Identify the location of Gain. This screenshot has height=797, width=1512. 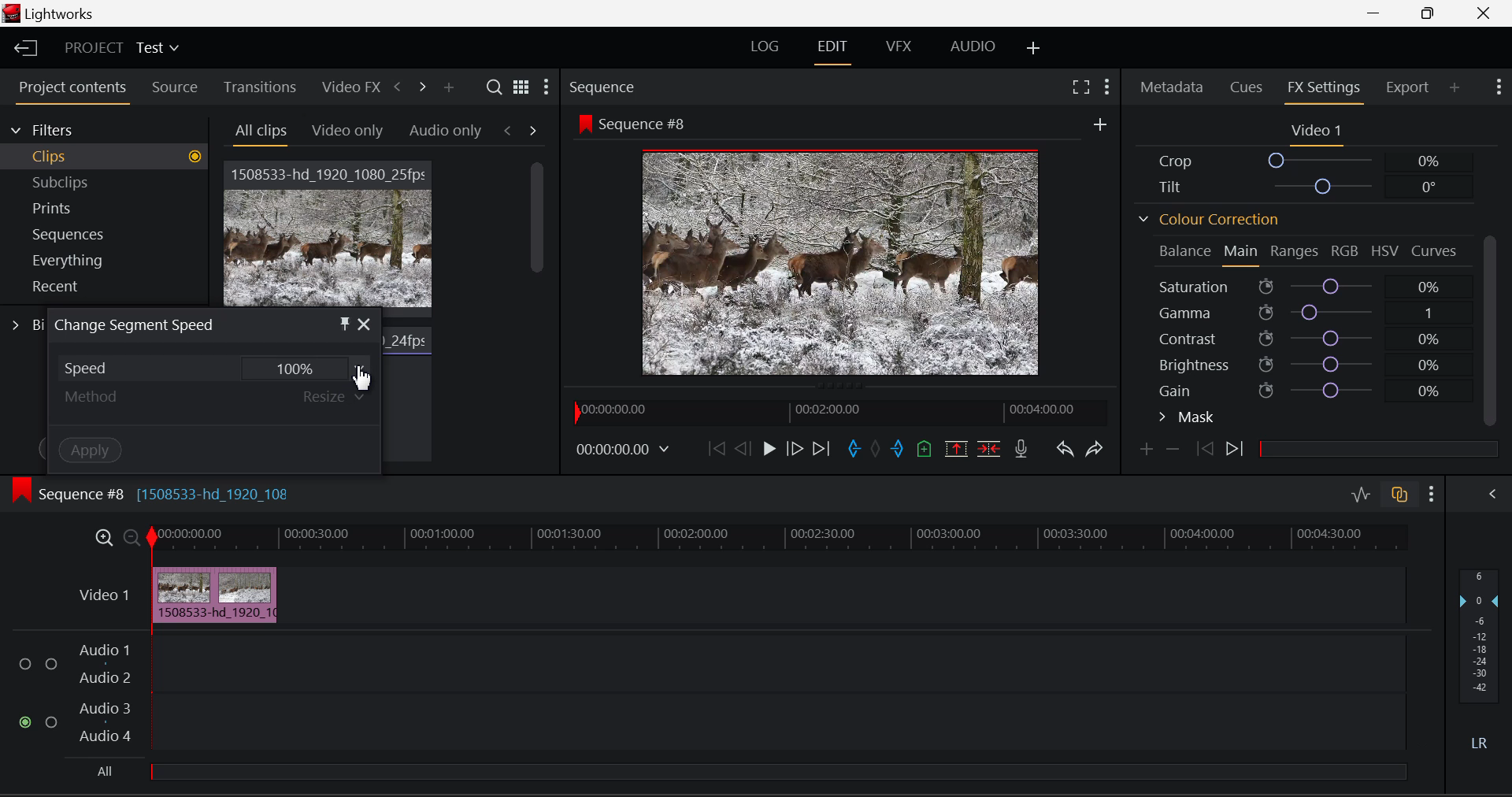
(1304, 393).